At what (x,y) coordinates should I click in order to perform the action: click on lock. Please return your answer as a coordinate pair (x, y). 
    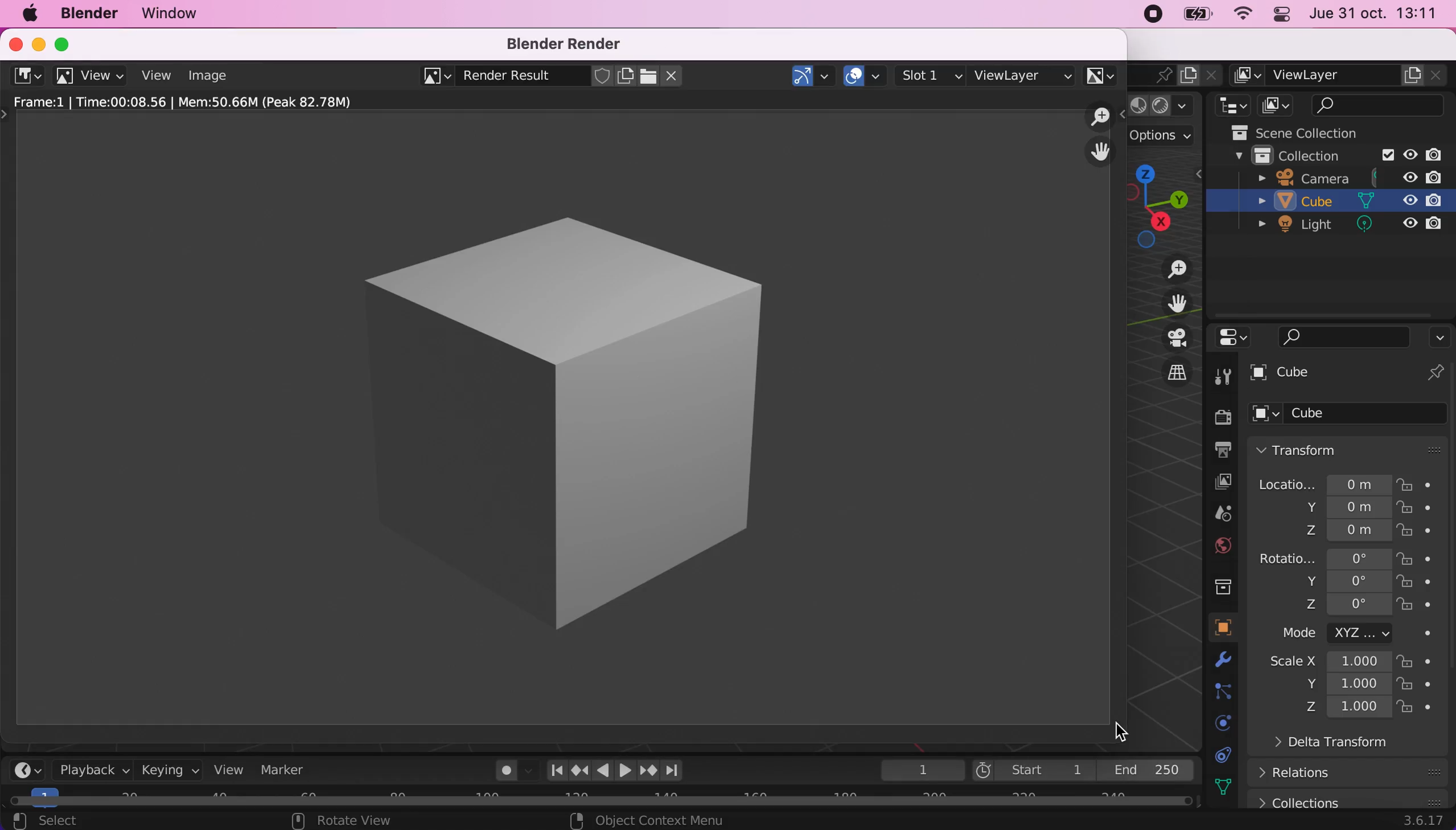
    Looking at the image, I should click on (1421, 483).